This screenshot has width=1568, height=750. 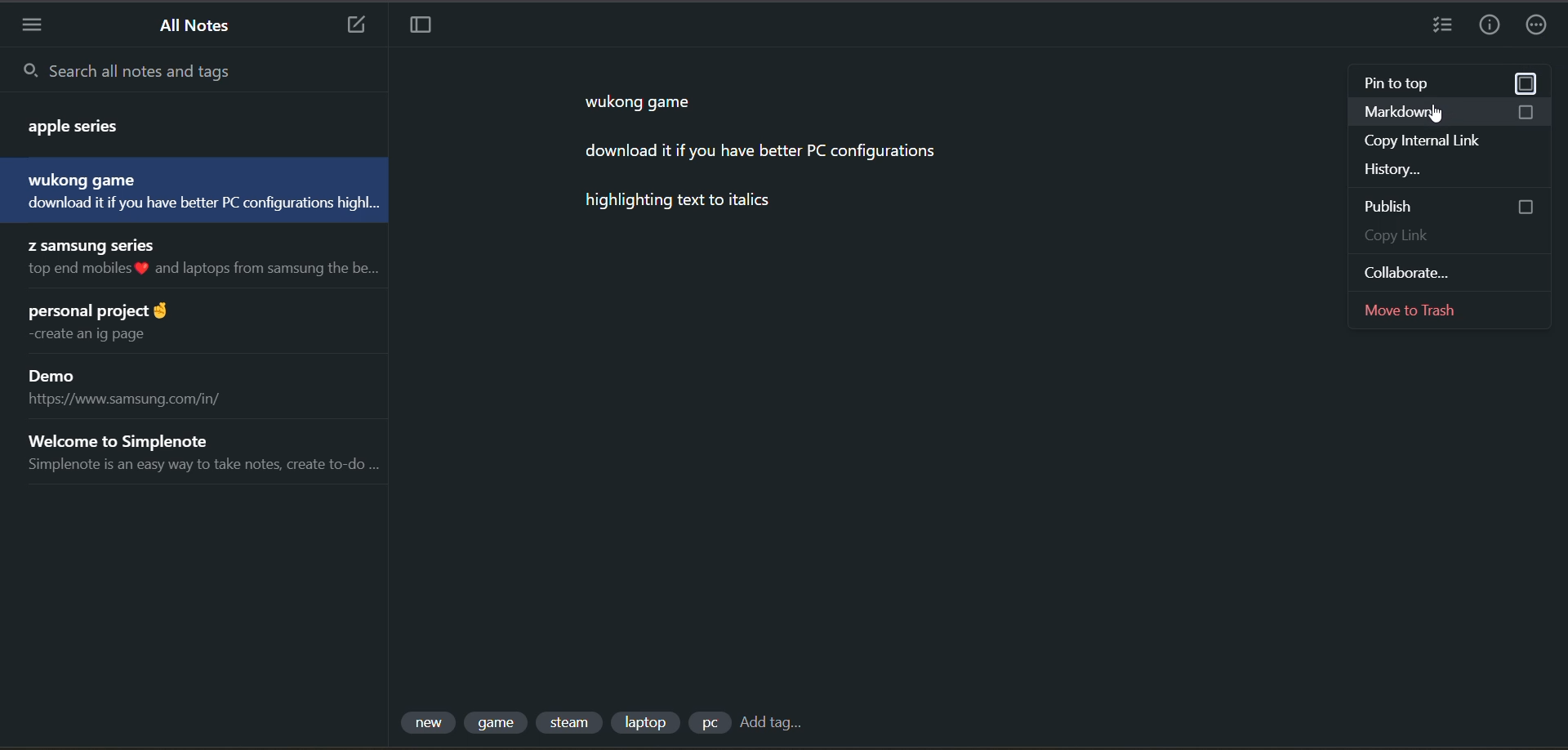 I want to click on note title and preview, so click(x=190, y=190).